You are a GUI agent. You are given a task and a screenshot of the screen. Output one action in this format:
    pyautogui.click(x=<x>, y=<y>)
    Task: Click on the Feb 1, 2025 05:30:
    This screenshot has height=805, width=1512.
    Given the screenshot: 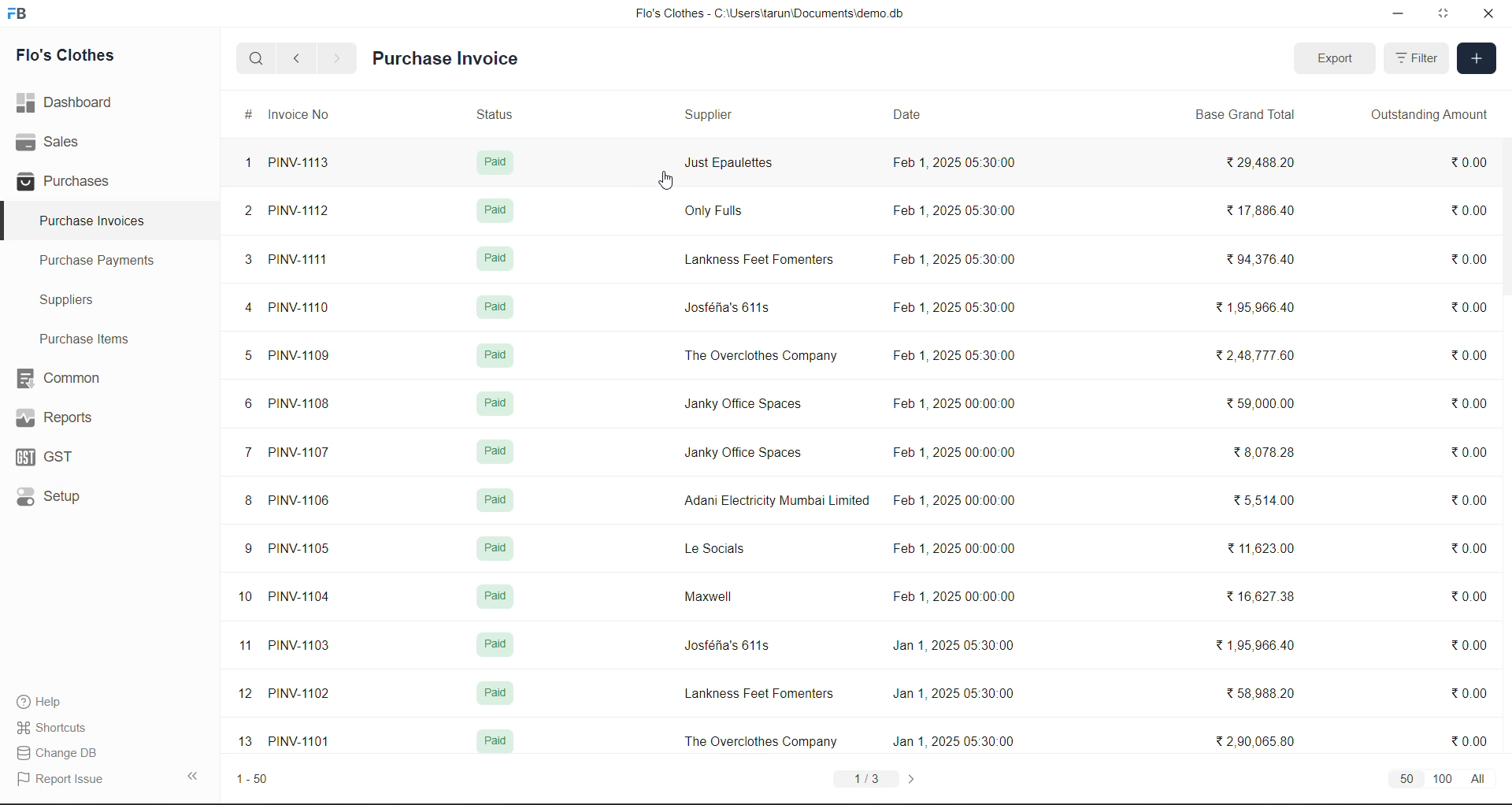 What is the action you would take?
    pyautogui.click(x=954, y=165)
    